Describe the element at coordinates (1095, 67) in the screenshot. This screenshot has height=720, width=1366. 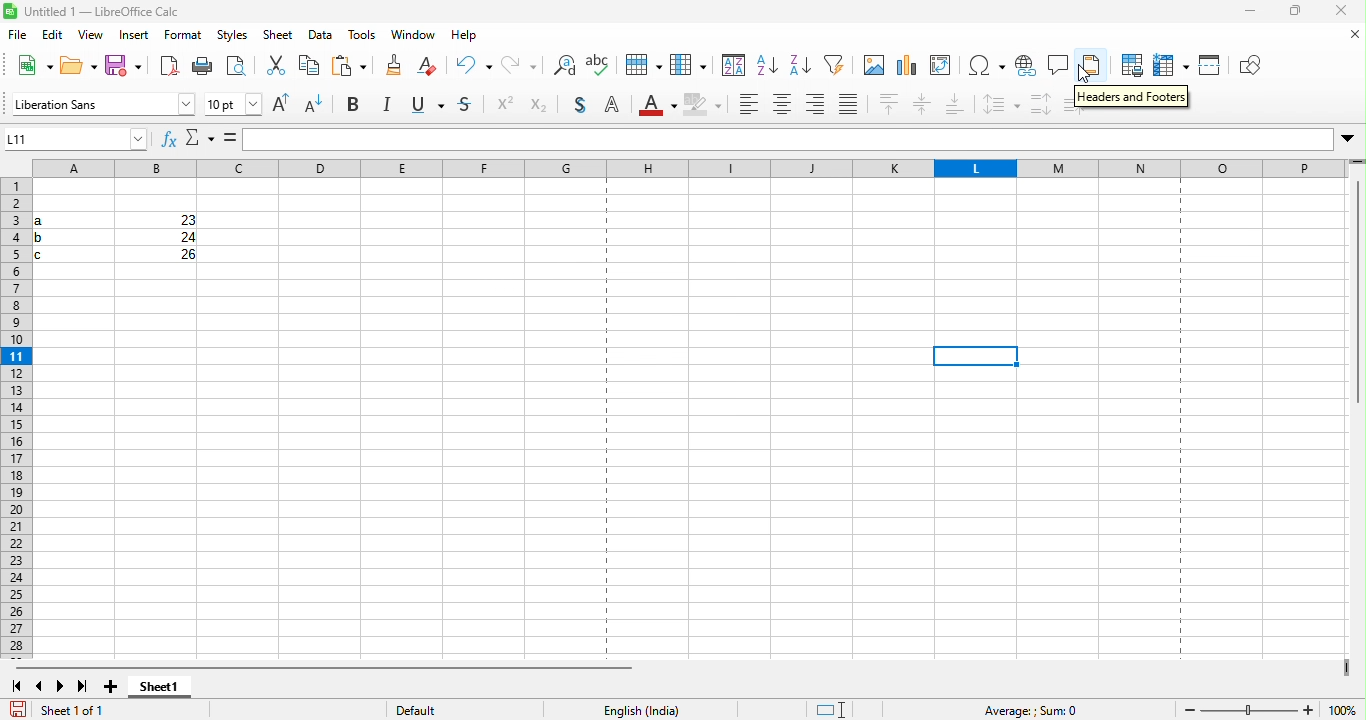
I see `headers and footers` at that location.